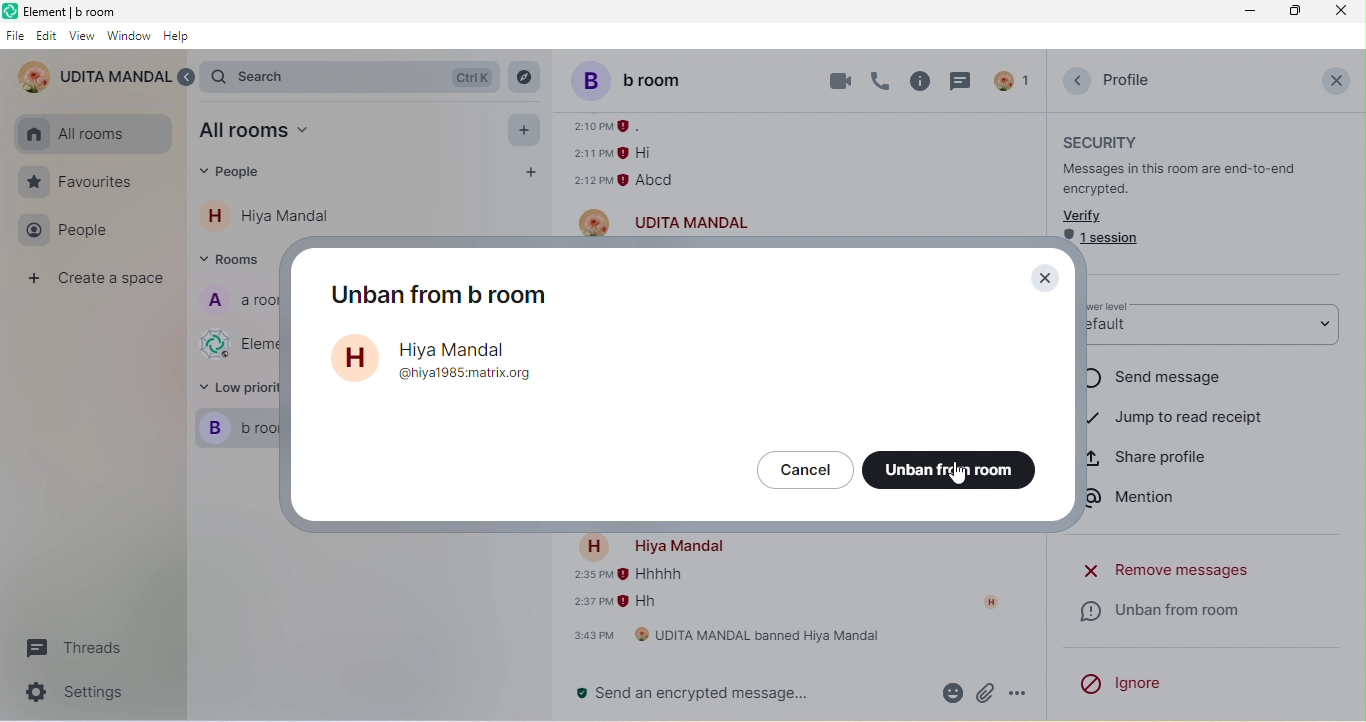  What do you see at coordinates (1124, 80) in the screenshot?
I see `profile` at bounding box center [1124, 80].